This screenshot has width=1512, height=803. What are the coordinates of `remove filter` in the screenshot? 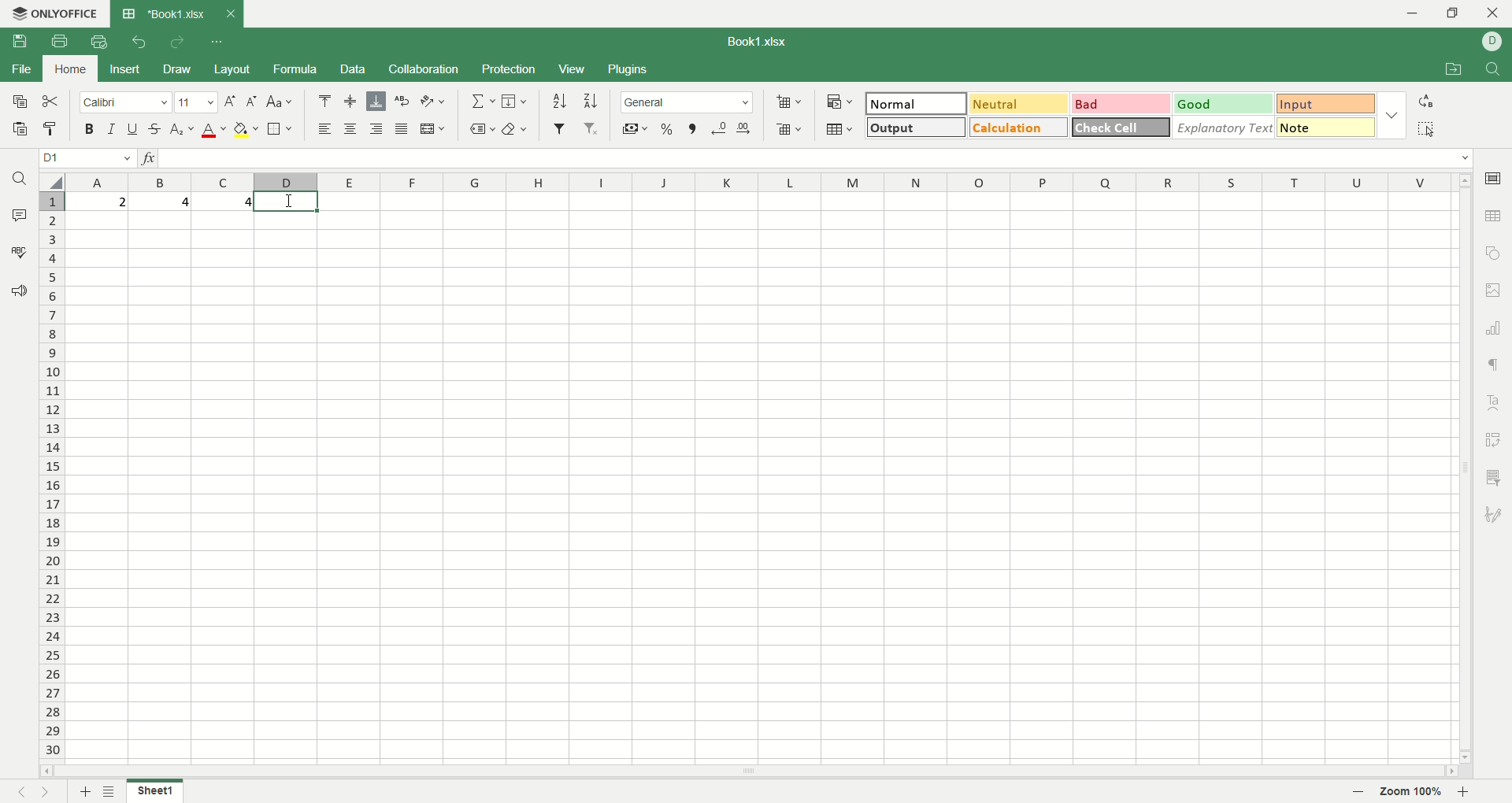 It's located at (591, 127).